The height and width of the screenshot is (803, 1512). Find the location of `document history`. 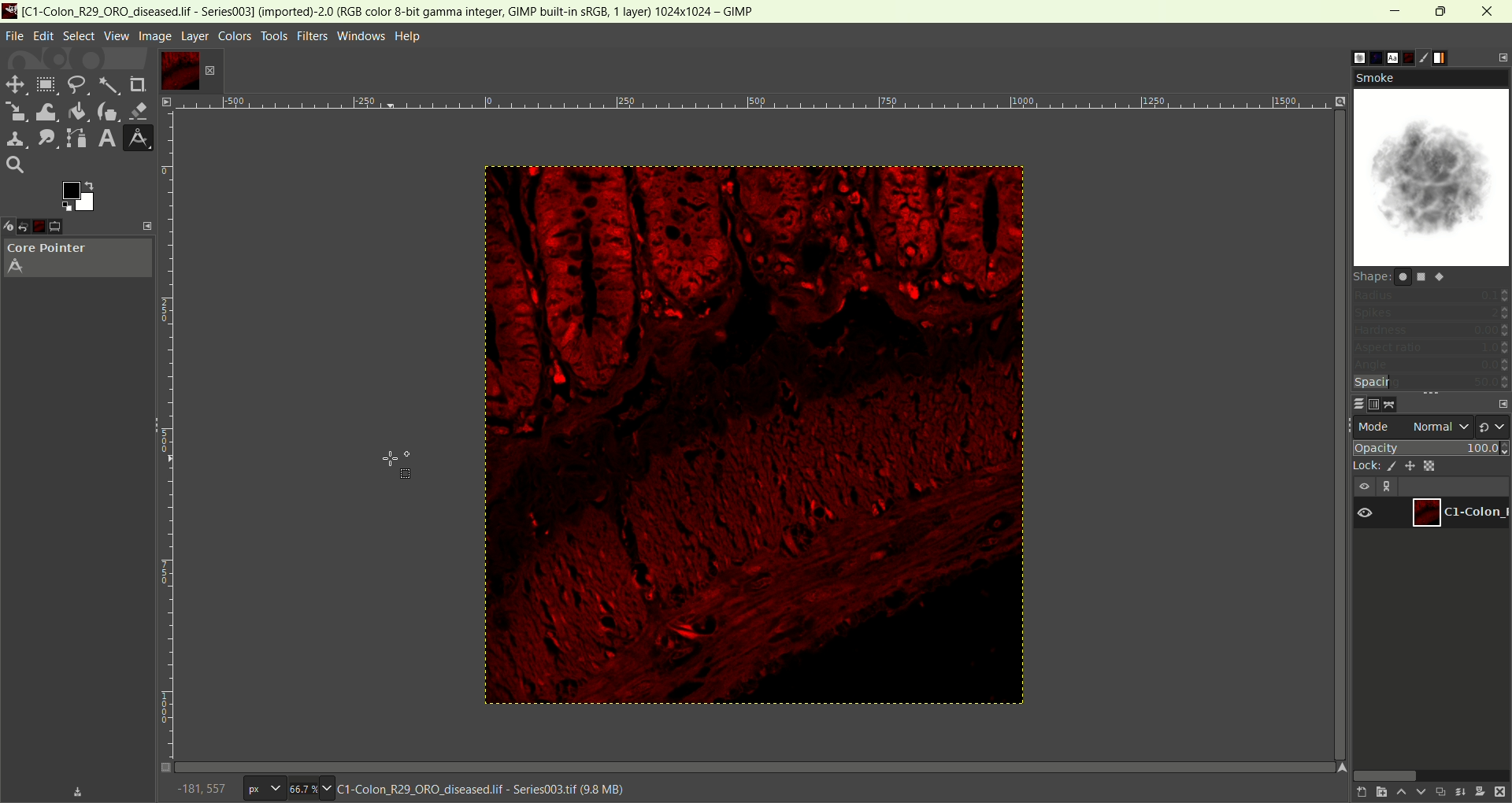

document history is located at coordinates (1409, 56).